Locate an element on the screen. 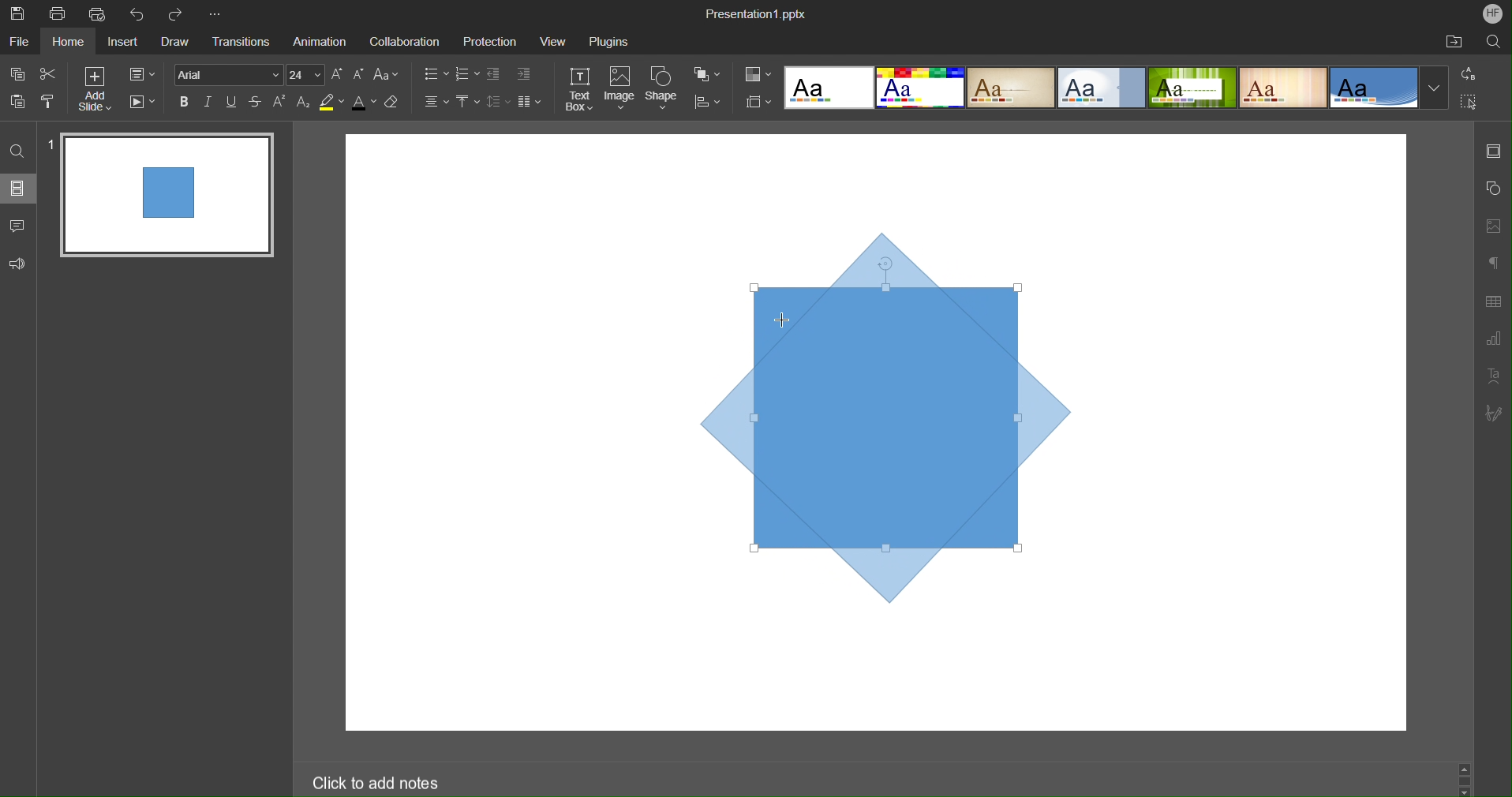  Strikethrough is located at coordinates (256, 103).